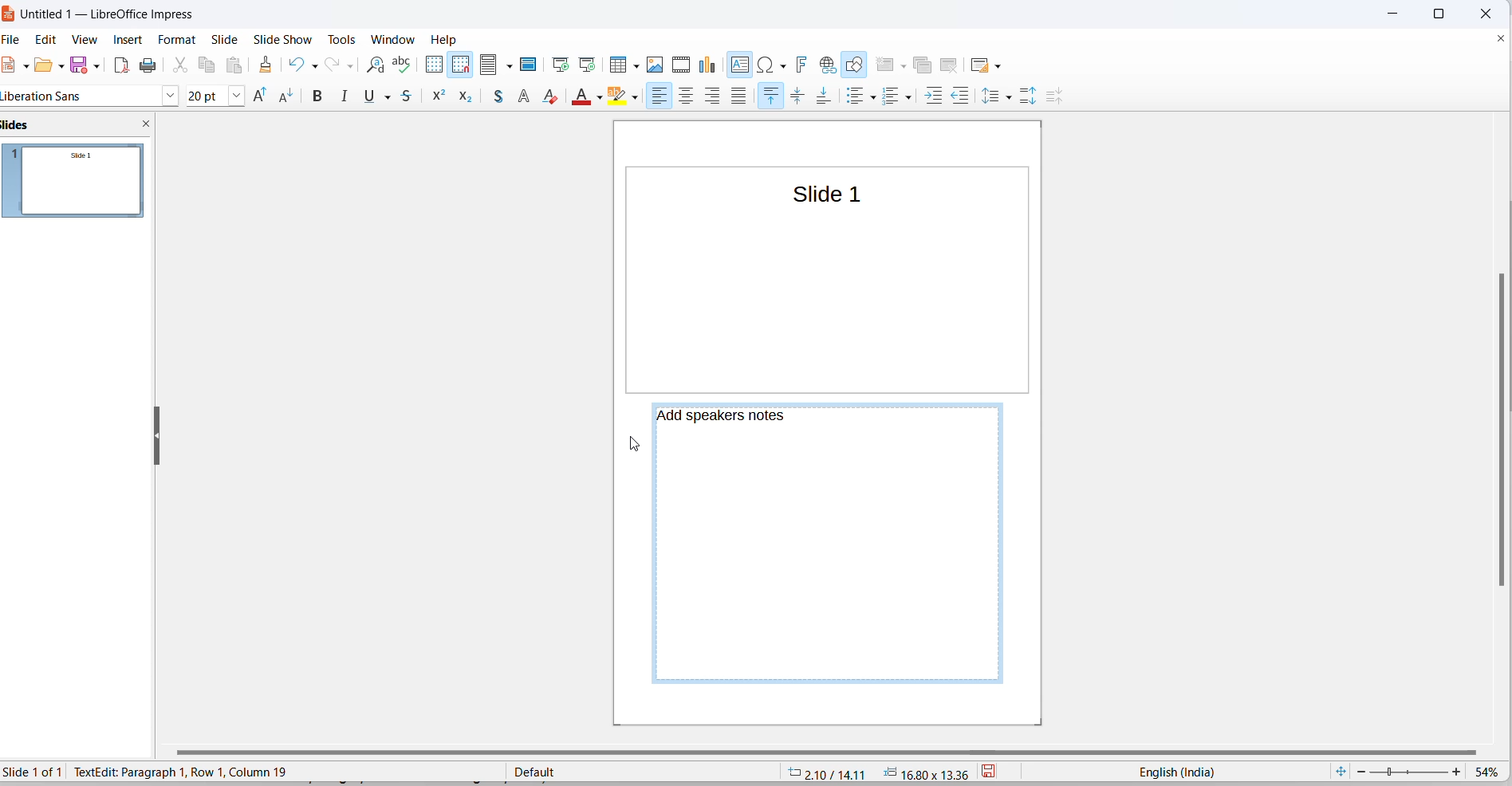 This screenshot has width=1512, height=786. Describe the element at coordinates (46, 97) in the screenshot. I see `Liberation Sans` at that location.